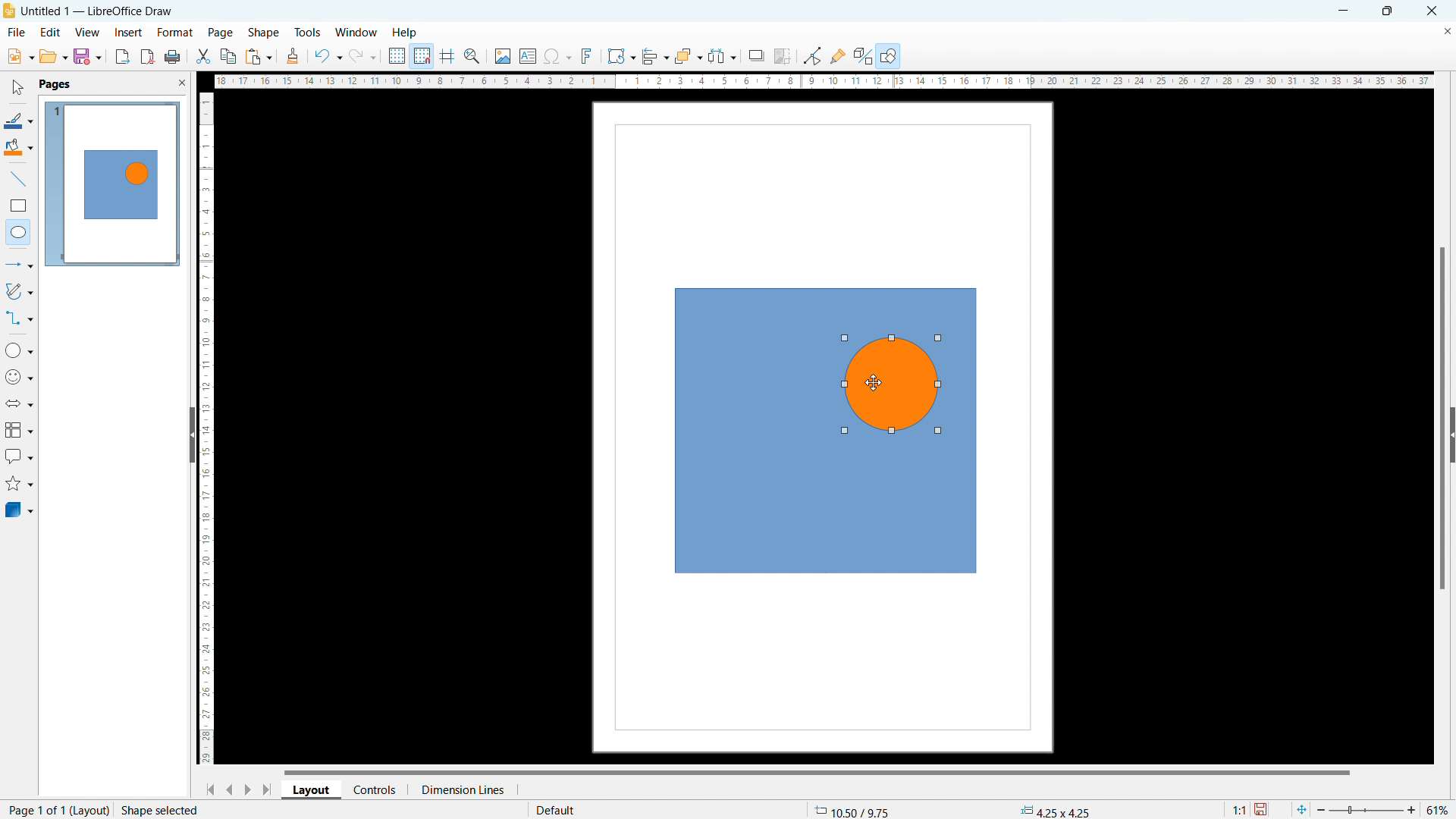  Describe the element at coordinates (472, 58) in the screenshot. I see `zoom and pan` at that location.